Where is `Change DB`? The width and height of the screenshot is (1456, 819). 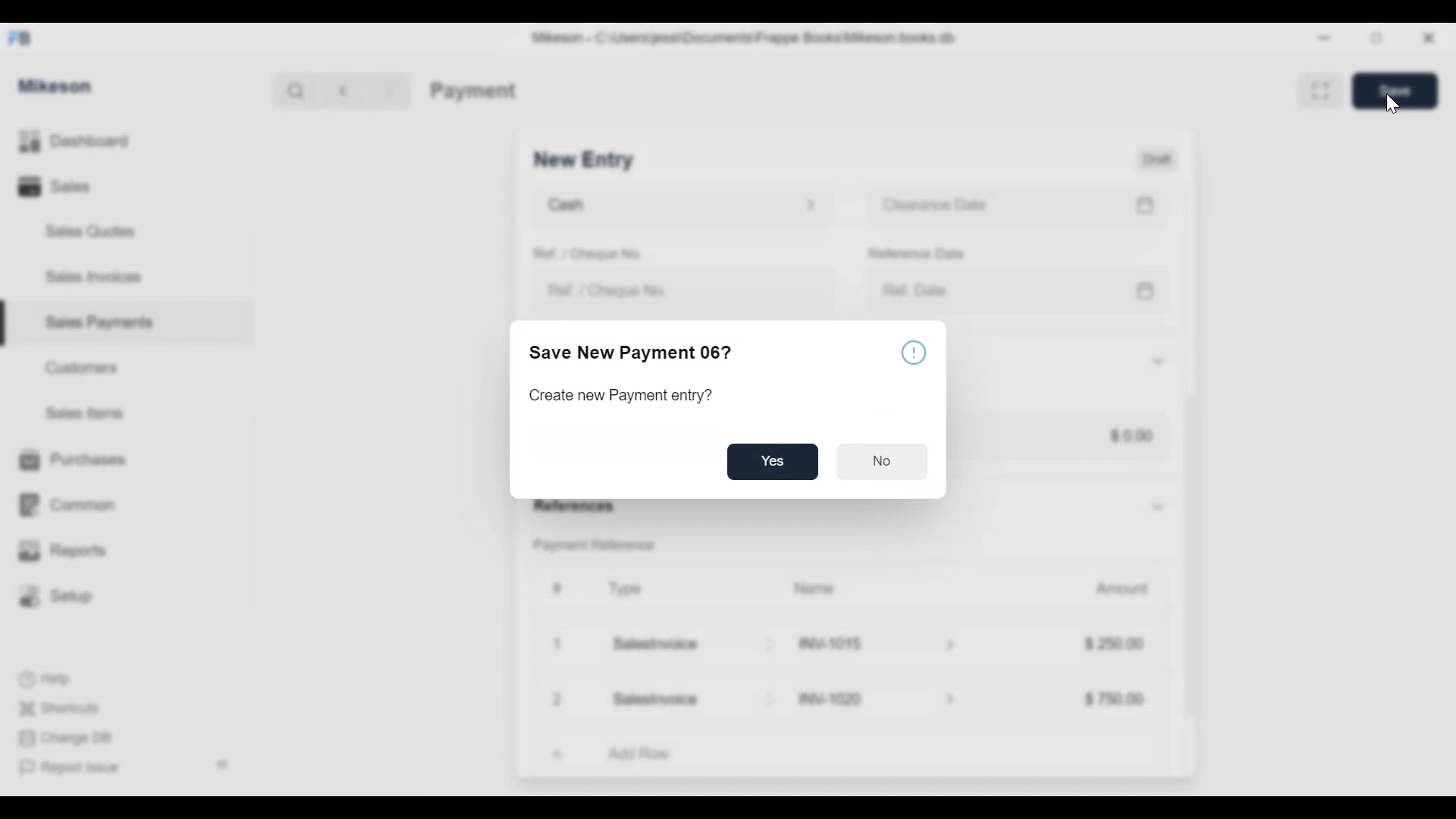
Change DB is located at coordinates (70, 739).